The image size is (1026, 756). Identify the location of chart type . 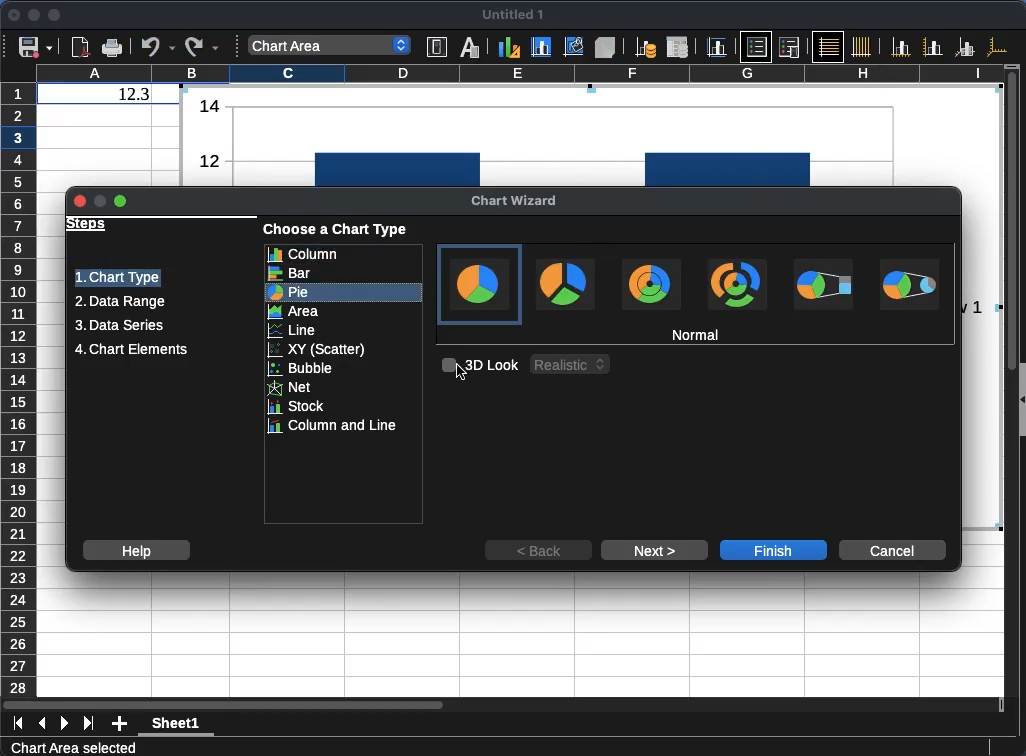
(118, 278).